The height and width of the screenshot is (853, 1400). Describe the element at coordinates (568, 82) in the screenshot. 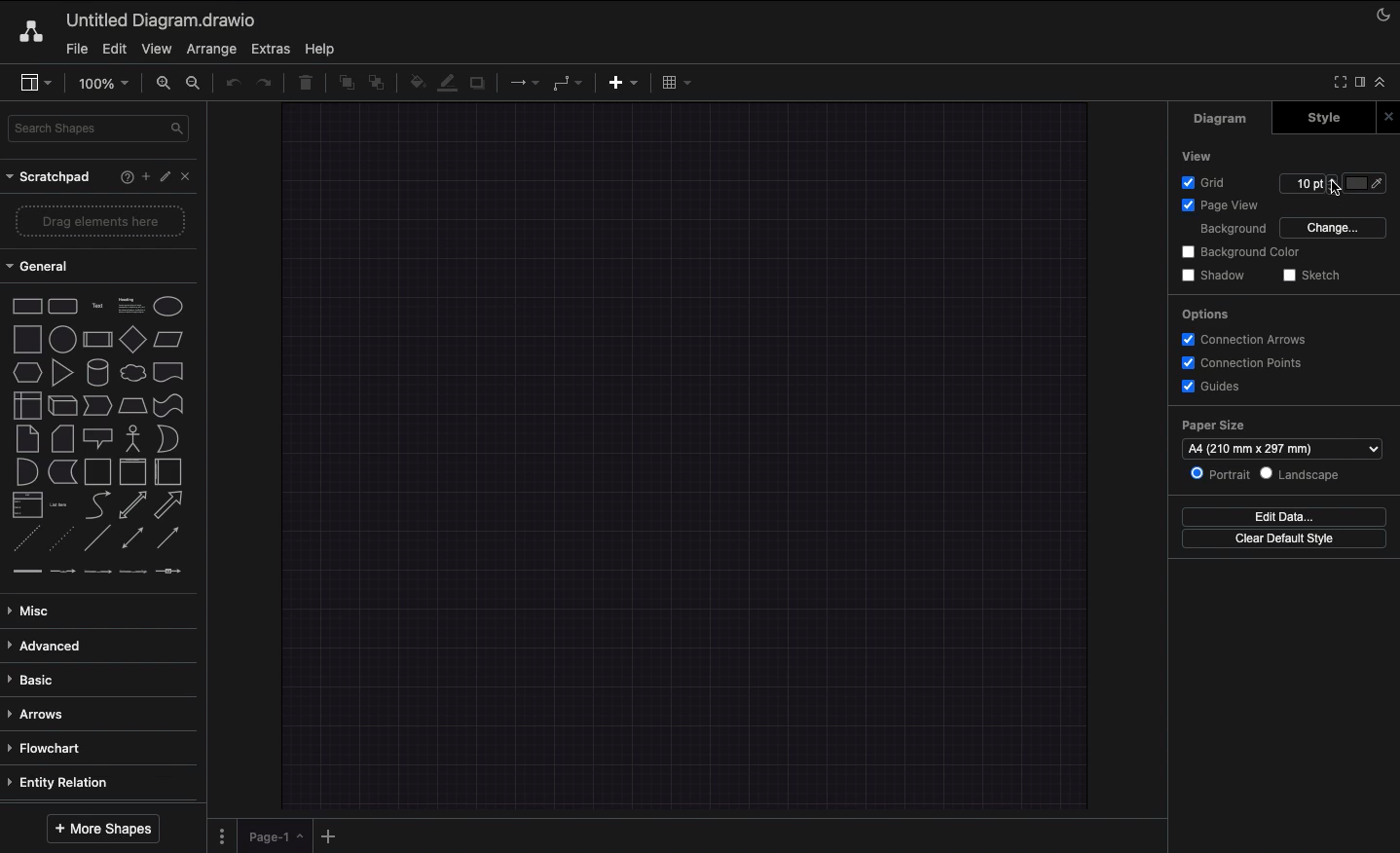

I see `Waypoint` at that location.